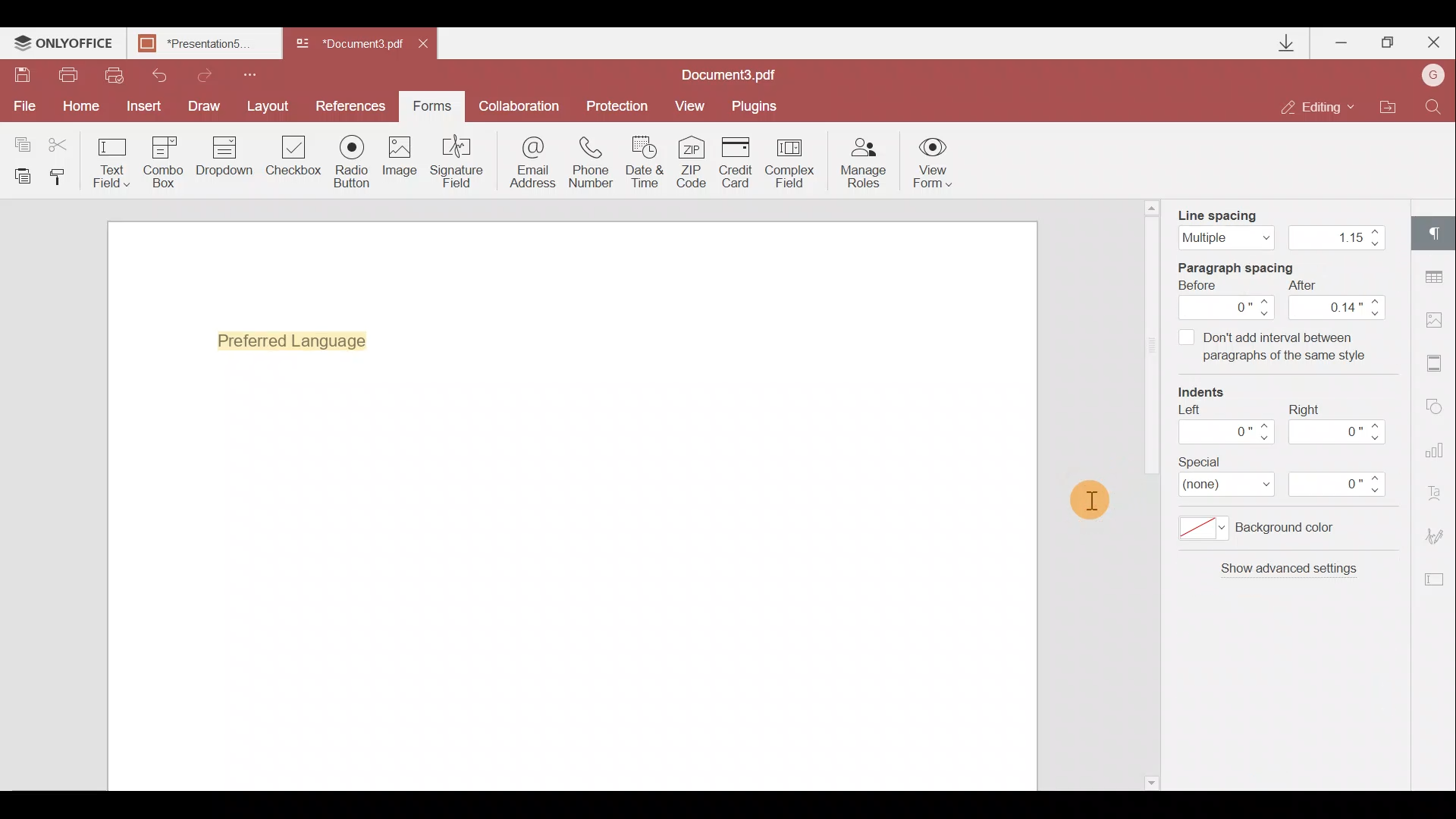  Describe the element at coordinates (244, 73) in the screenshot. I see `Customize quick access toolbar` at that location.